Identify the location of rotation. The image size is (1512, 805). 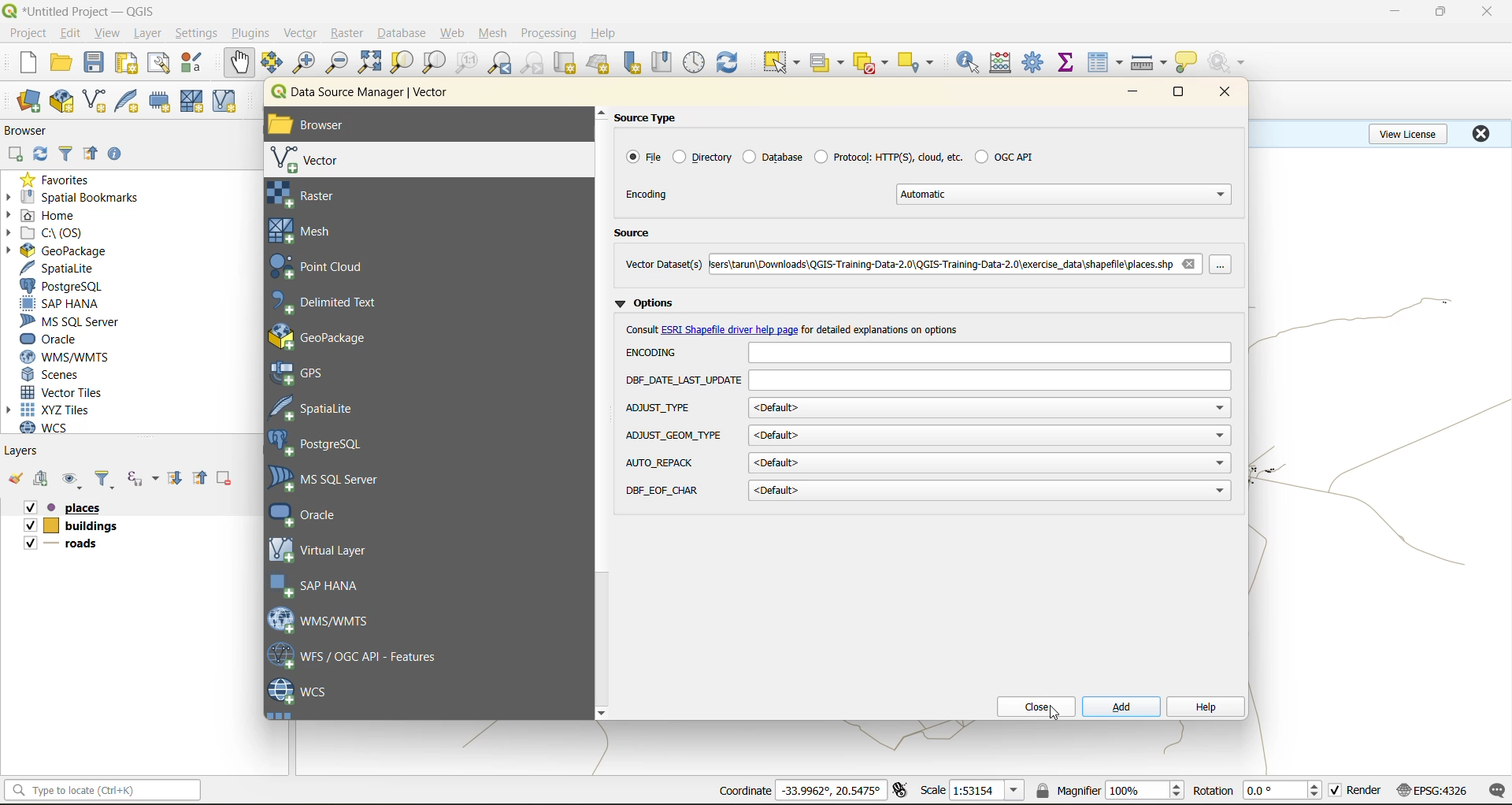
(1213, 791).